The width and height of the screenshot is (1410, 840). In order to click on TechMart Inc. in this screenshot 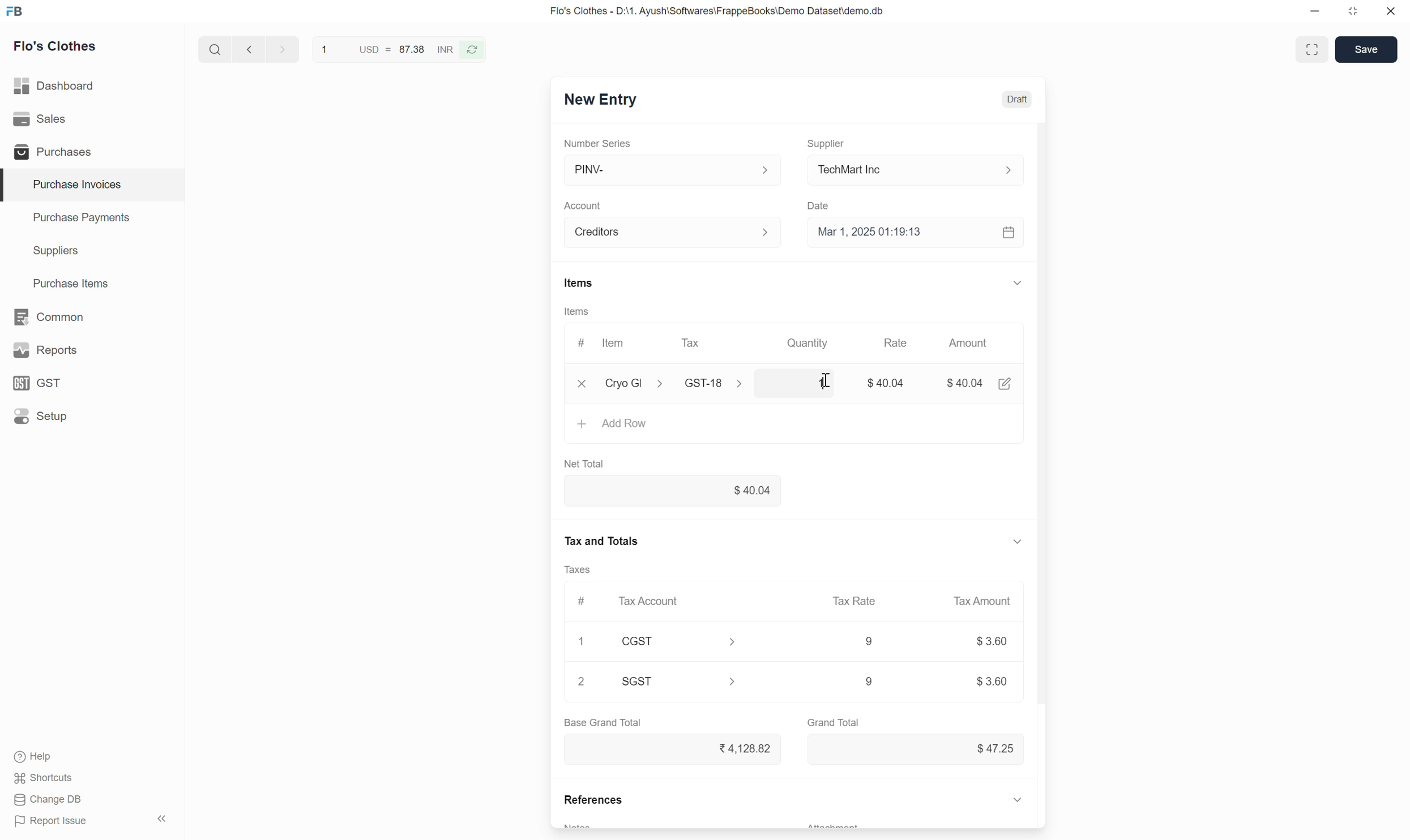, I will do `click(921, 169)`.